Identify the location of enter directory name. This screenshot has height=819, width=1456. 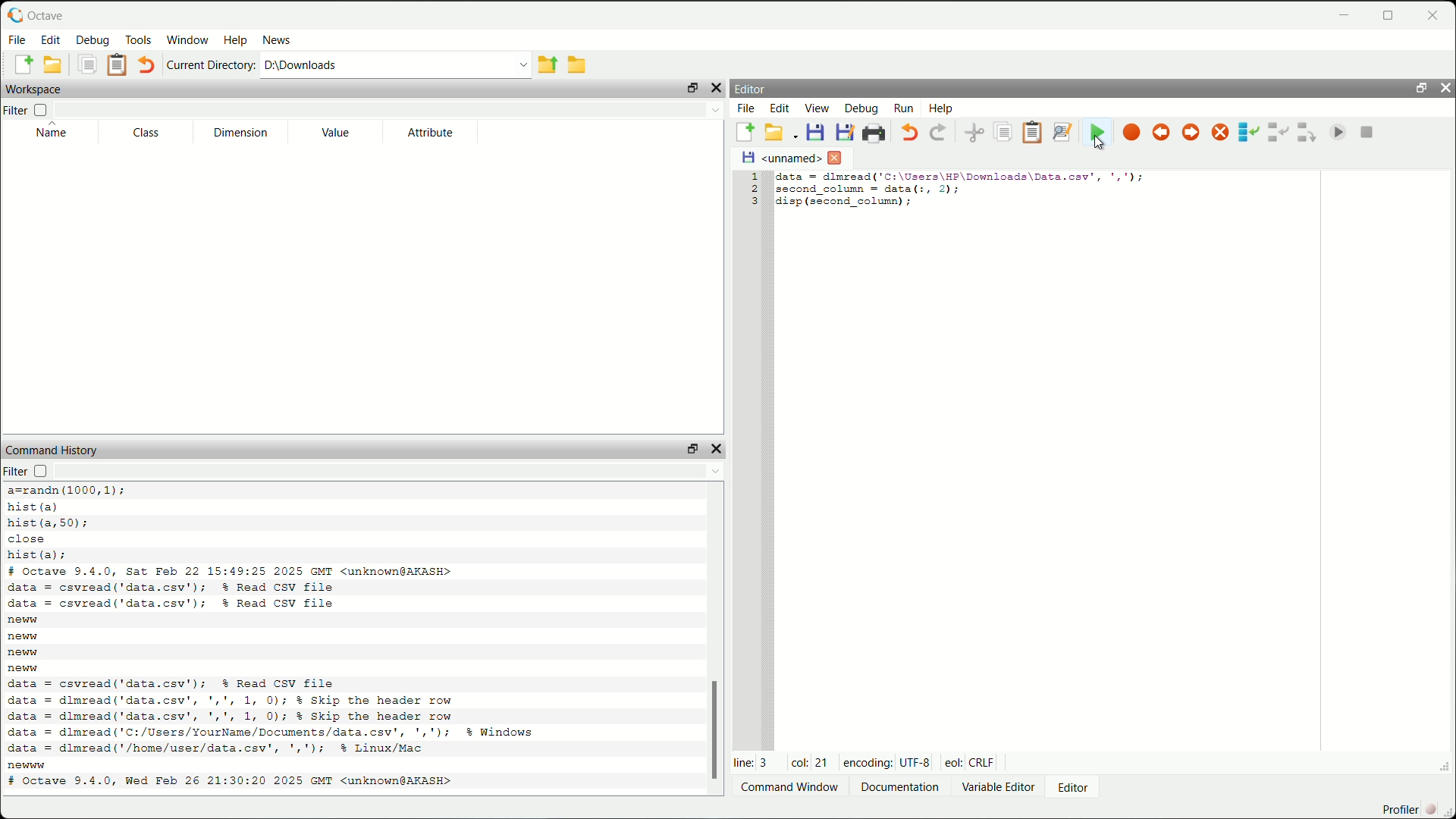
(395, 65).